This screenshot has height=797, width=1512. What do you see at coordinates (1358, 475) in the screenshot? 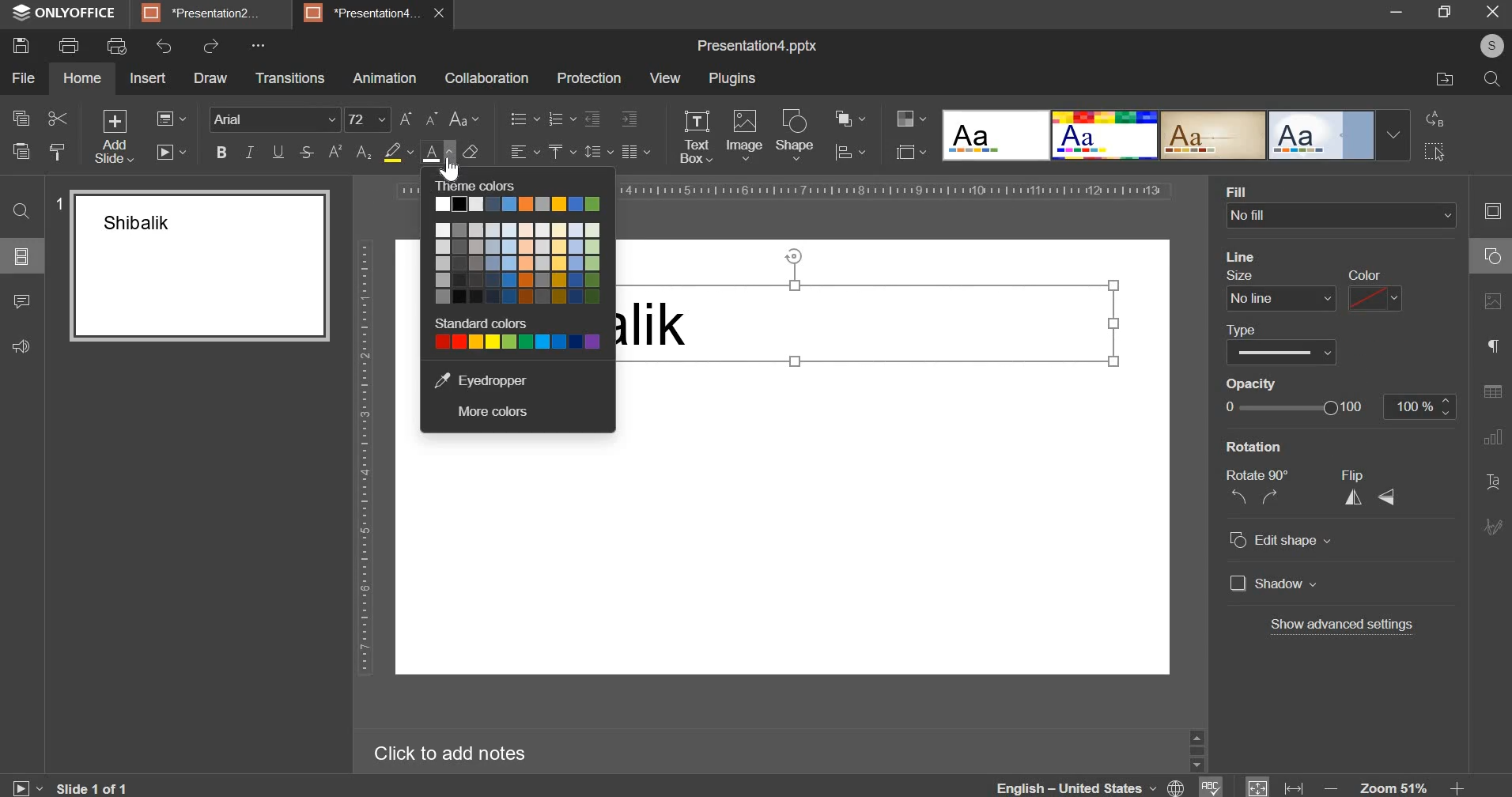
I see `flip` at bounding box center [1358, 475].